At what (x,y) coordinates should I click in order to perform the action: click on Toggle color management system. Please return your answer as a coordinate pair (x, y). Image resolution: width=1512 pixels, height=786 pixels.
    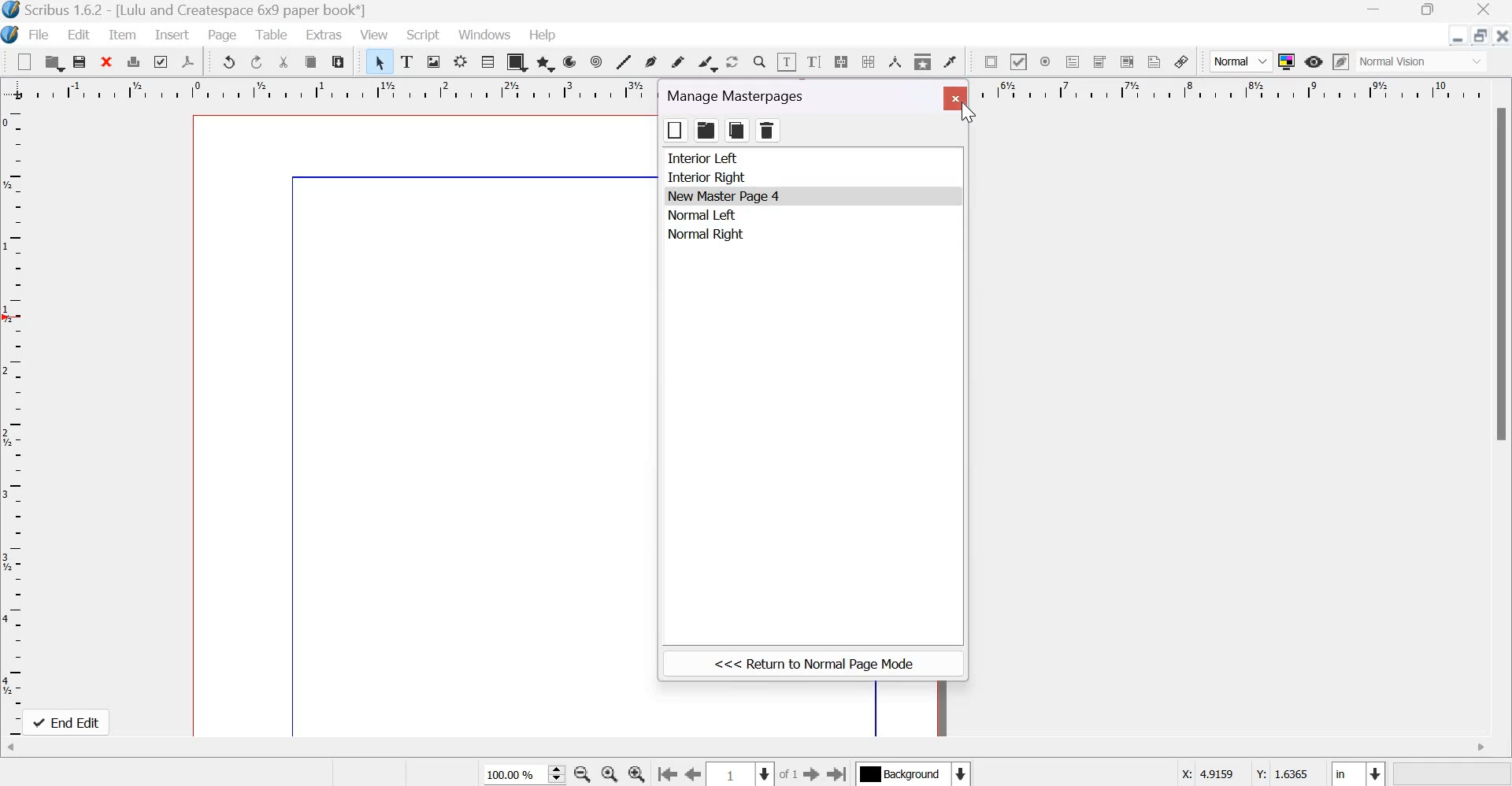
    Looking at the image, I should click on (1287, 61).